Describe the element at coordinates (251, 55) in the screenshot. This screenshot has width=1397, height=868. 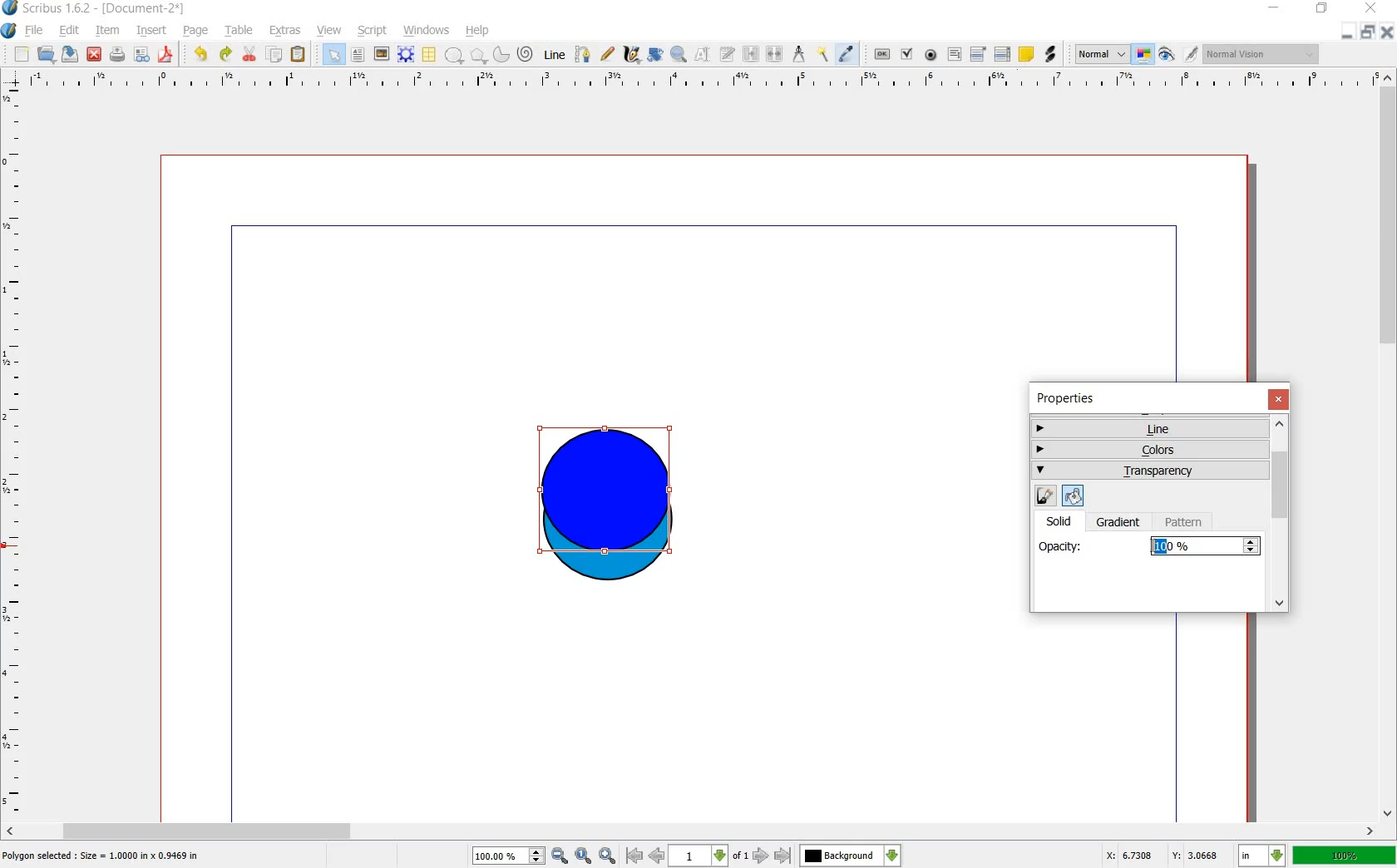
I see `cut` at that location.